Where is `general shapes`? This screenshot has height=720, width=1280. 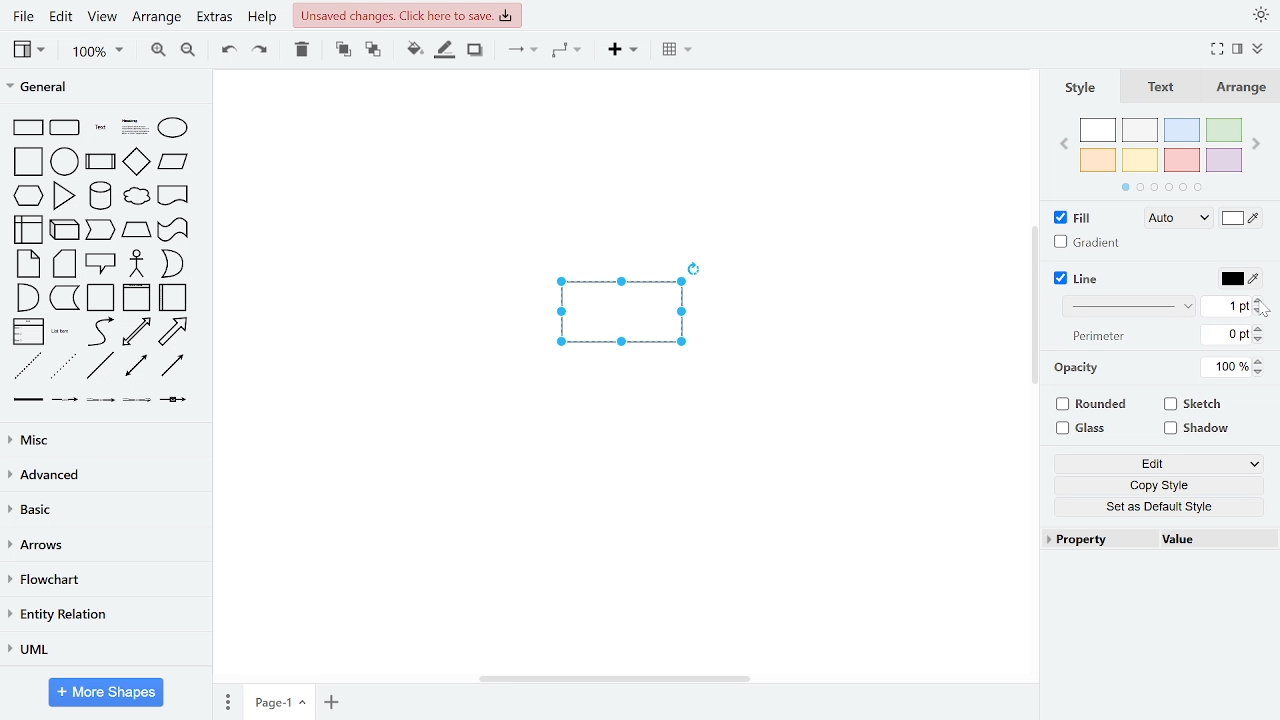
general shapes is located at coordinates (170, 162).